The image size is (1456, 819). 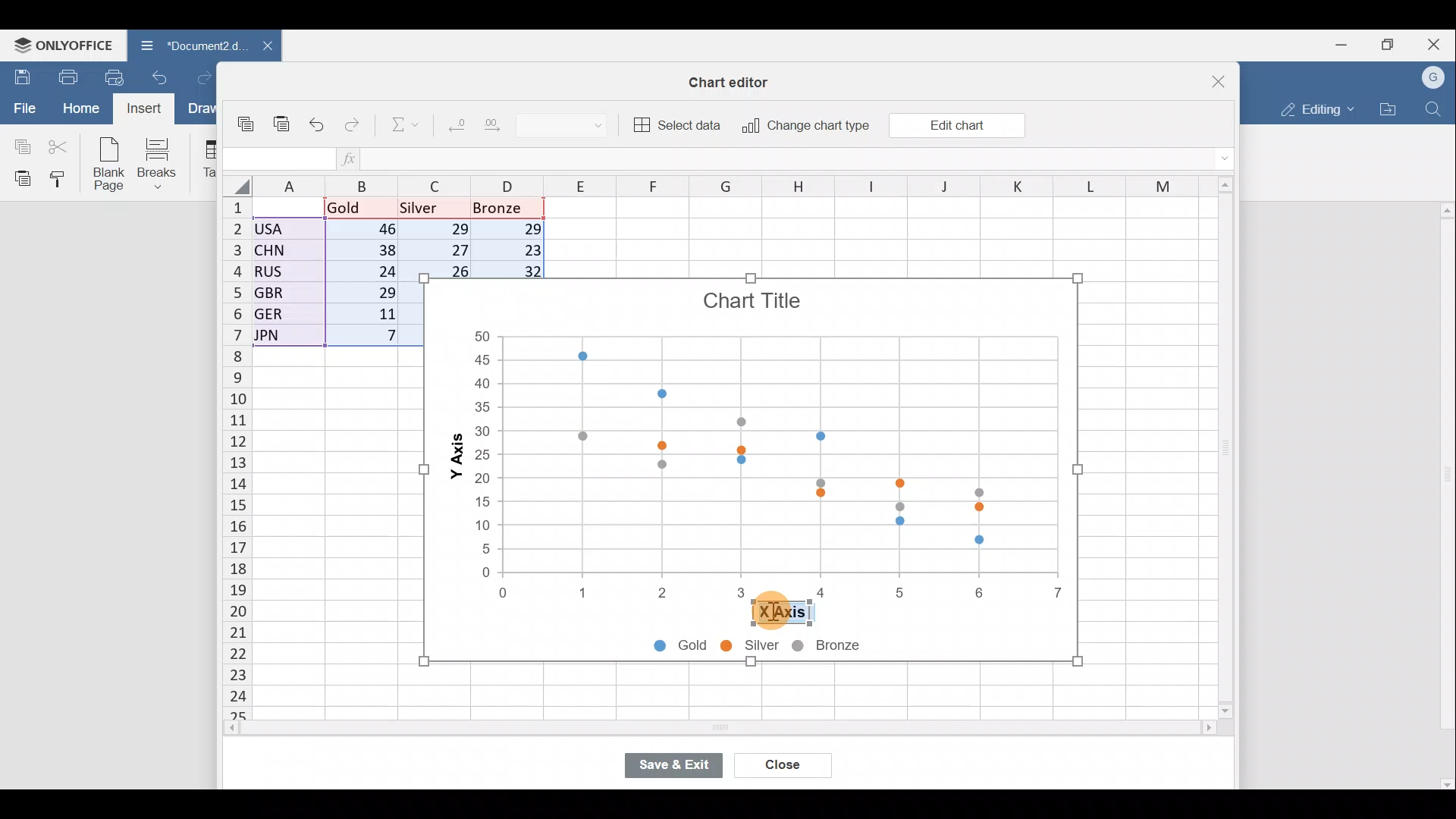 What do you see at coordinates (60, 146) in the screenshot?
I see `Cut` at bounding box center [60, 146].